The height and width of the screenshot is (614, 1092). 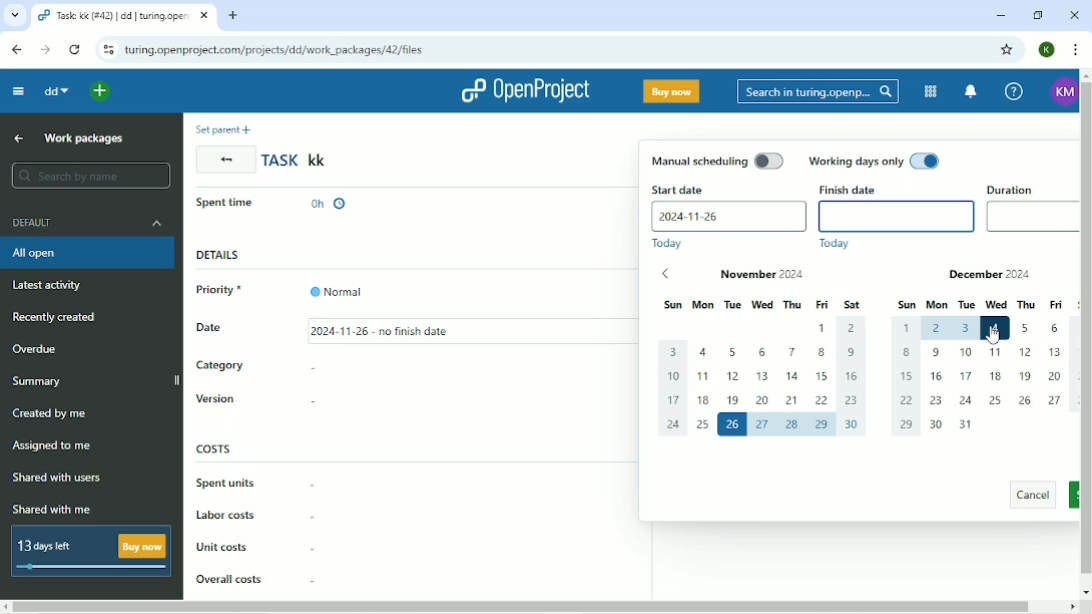 I want to click on task: kk(#42)|dd|turing.openproject.com, so click(x=124, y=16).